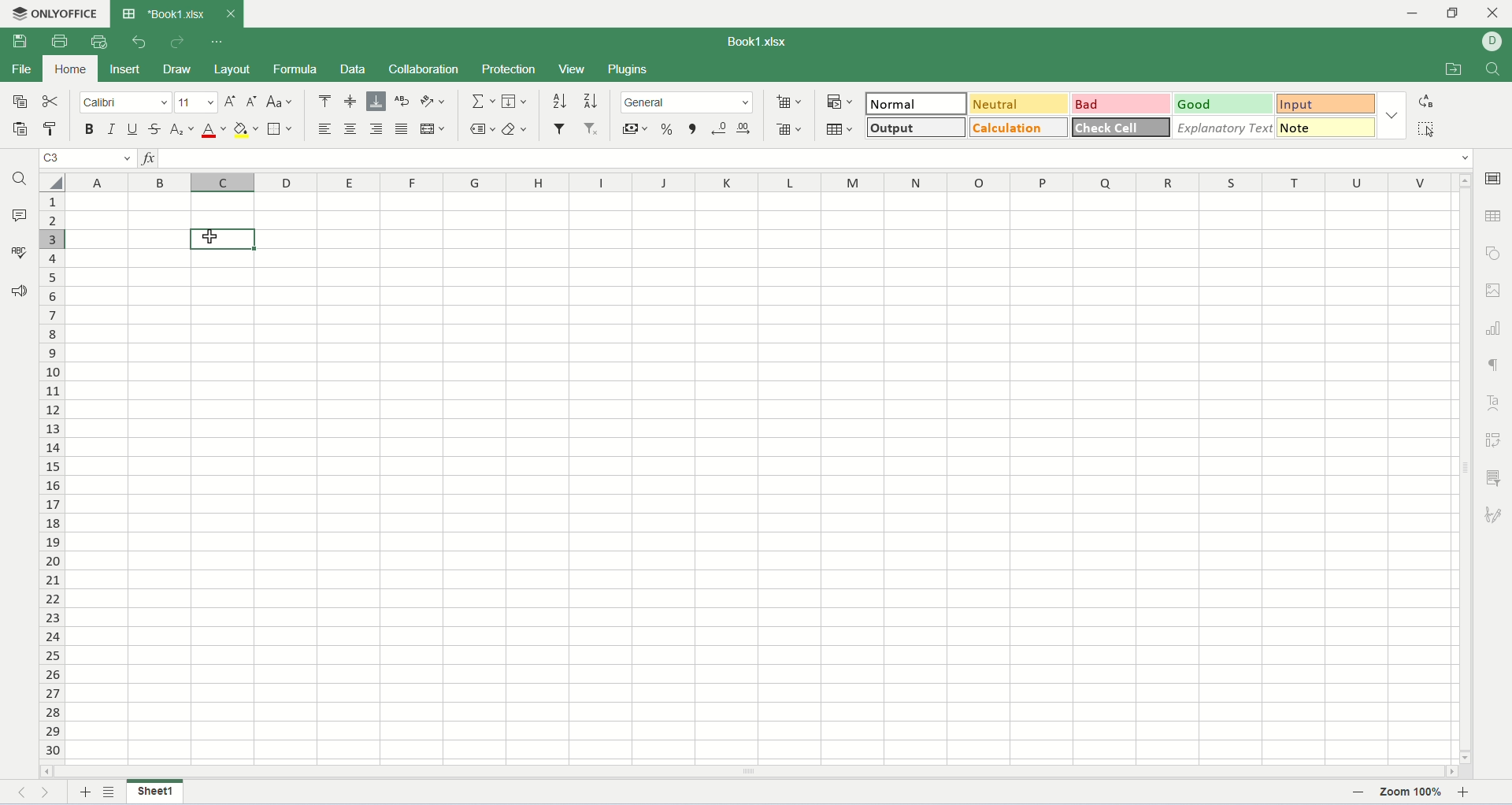 Image resolution: width=1512 pixels, height=805 pixels. Describe the element at coordinates (1495, 363) in the screenshot. I see `paragraph settings` at that location.